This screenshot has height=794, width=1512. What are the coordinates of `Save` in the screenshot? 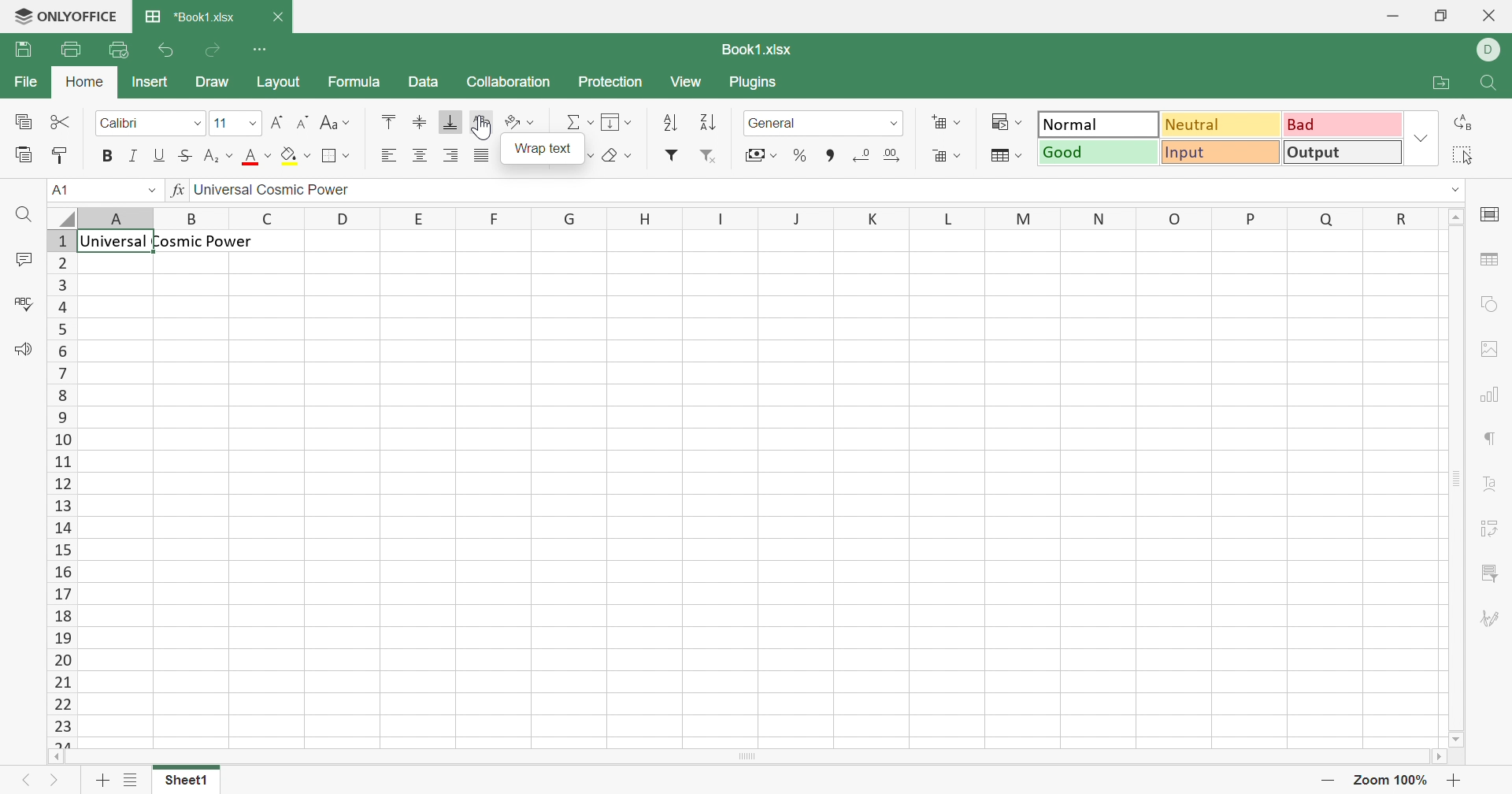 It's located at (24, 49).